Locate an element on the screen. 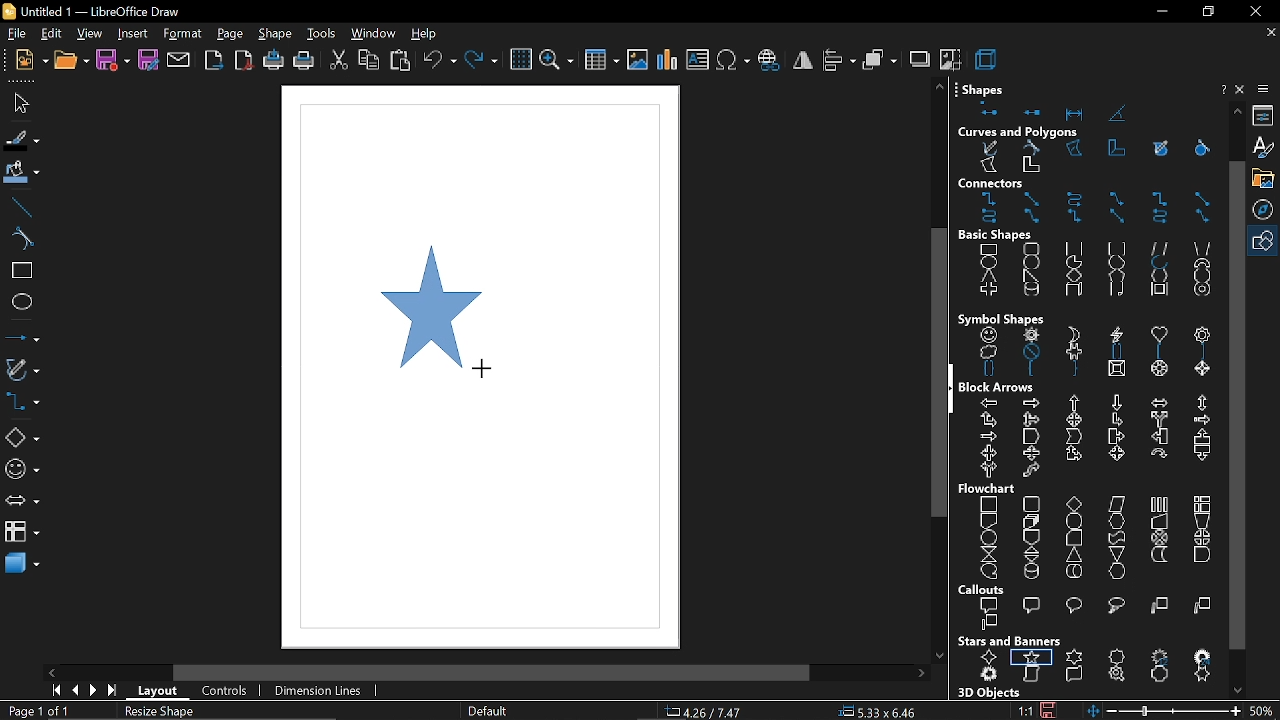 This screenshot has width=1280, height=720. connectors is located at coordinates (1088, 210).